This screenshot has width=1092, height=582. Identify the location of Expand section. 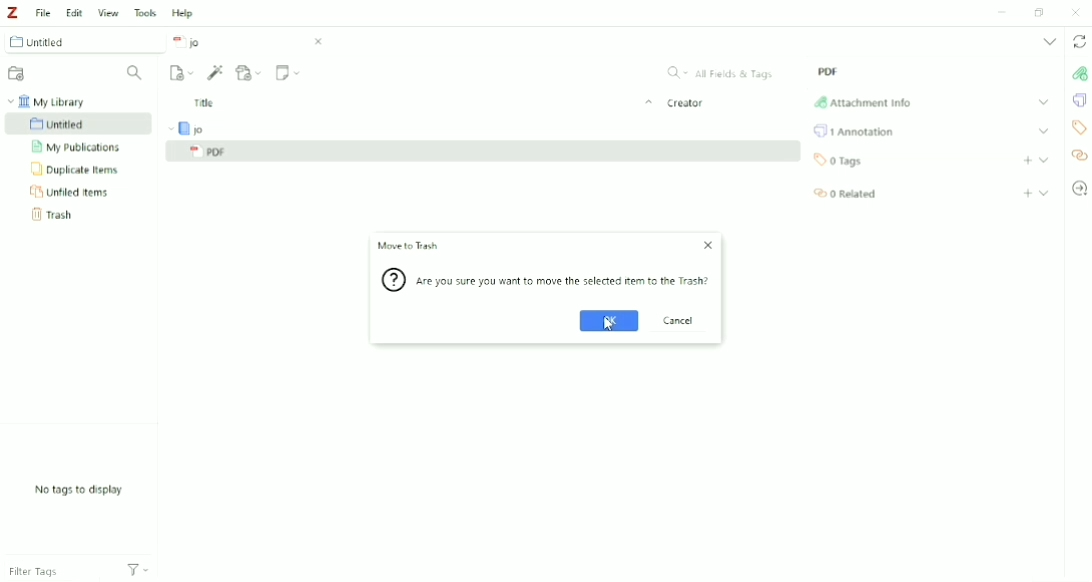
(1045, 159).